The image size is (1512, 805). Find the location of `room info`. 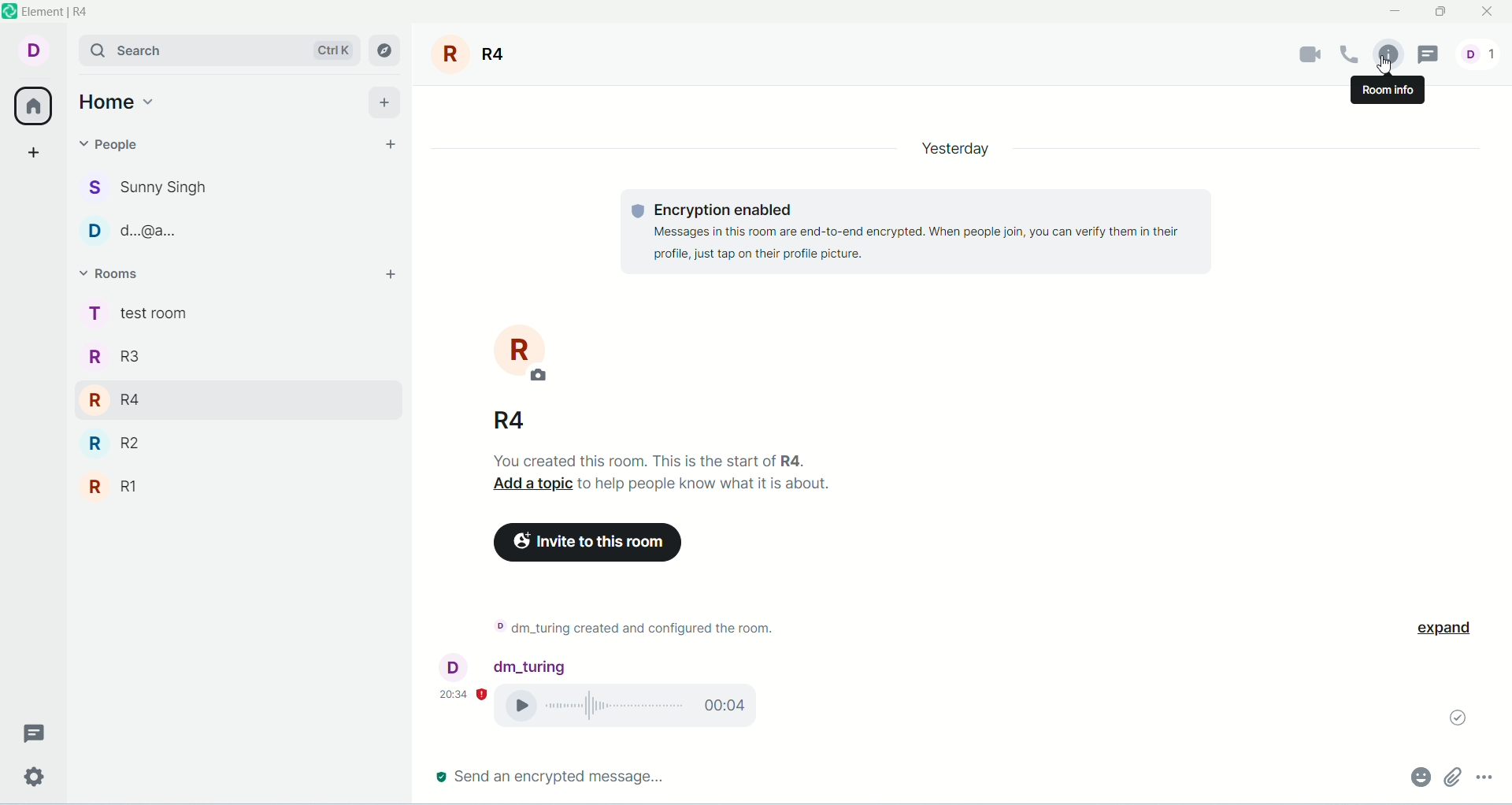

room info is located at coordinates (1388, 54).